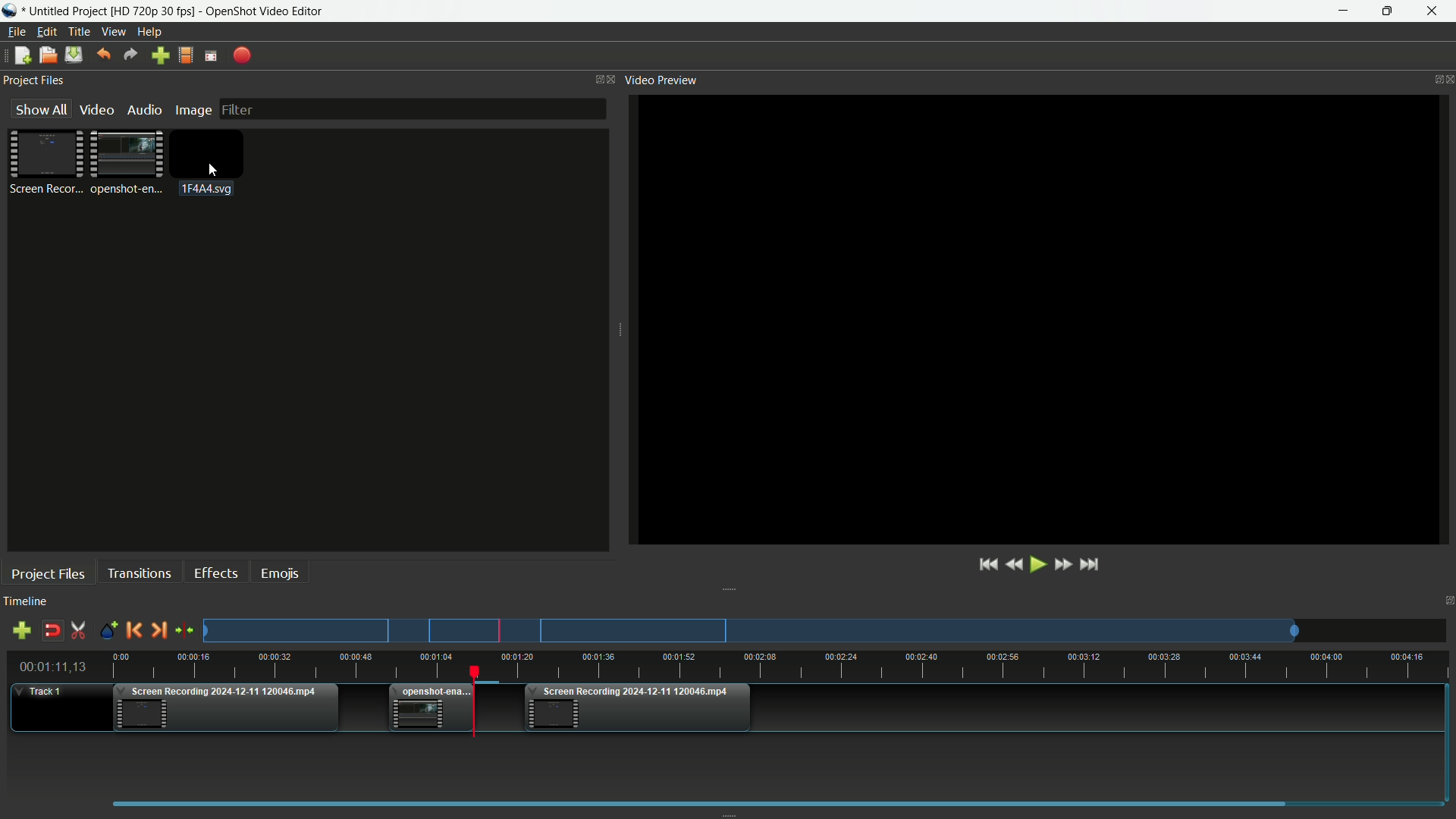 The width and height of the screenshot is (1456, 819). What do you see at coordinates (243, 56) in the screenshot?
I see `Export` at bounding box center [243, 56].